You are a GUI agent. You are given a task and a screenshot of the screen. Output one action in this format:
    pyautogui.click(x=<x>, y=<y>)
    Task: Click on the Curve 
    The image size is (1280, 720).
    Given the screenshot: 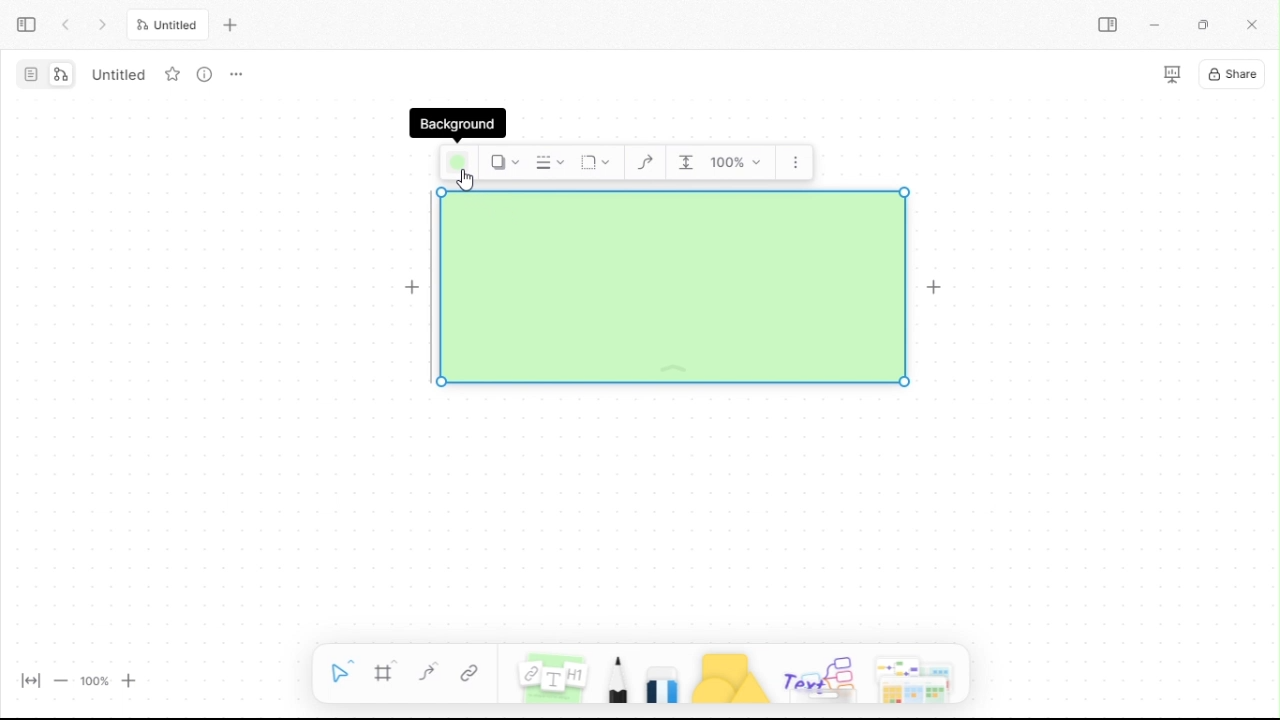 What is the action you would take?
    pyautogui.click(x=645, y=163)
    